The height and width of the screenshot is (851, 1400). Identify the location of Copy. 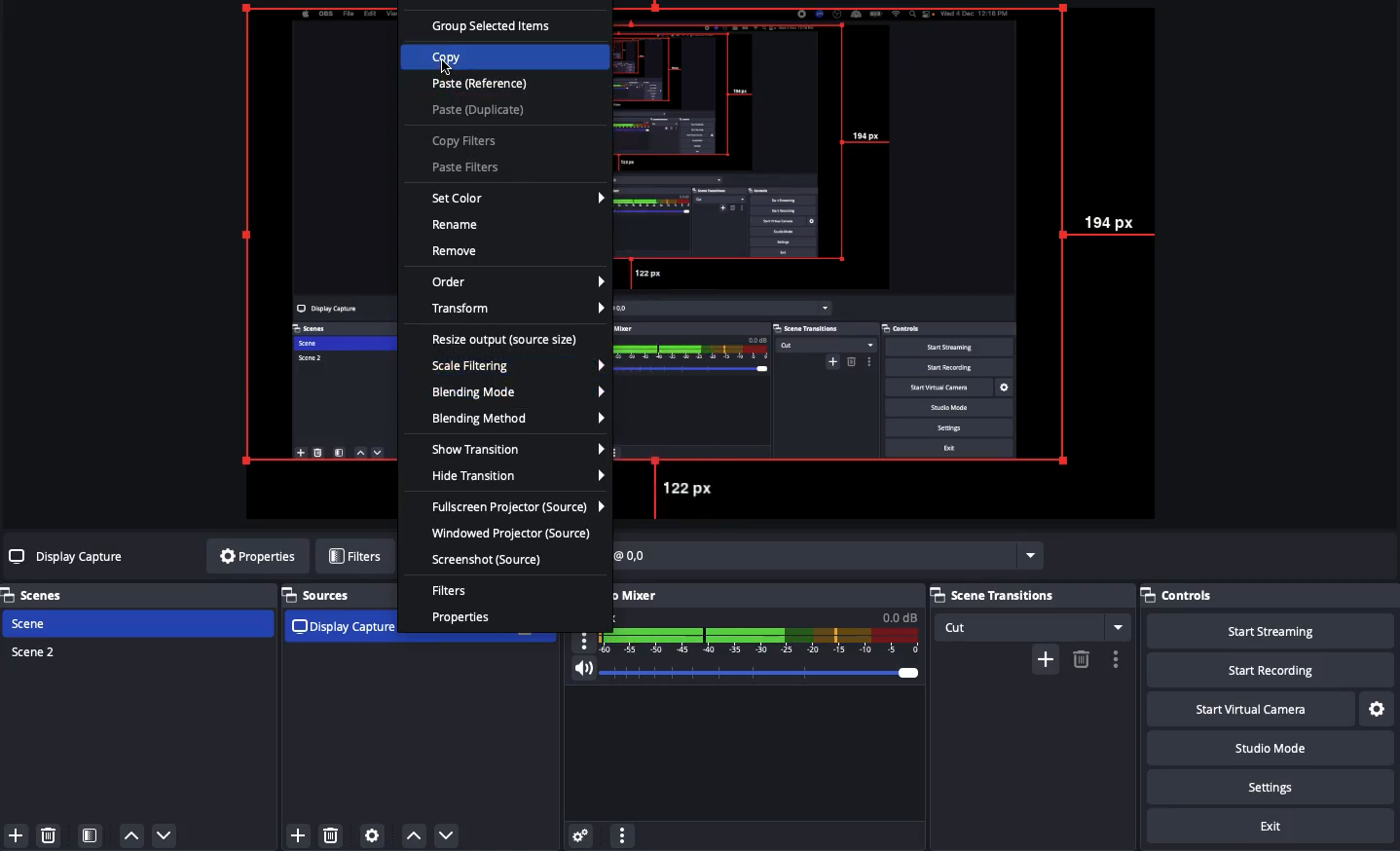
(455, 55).